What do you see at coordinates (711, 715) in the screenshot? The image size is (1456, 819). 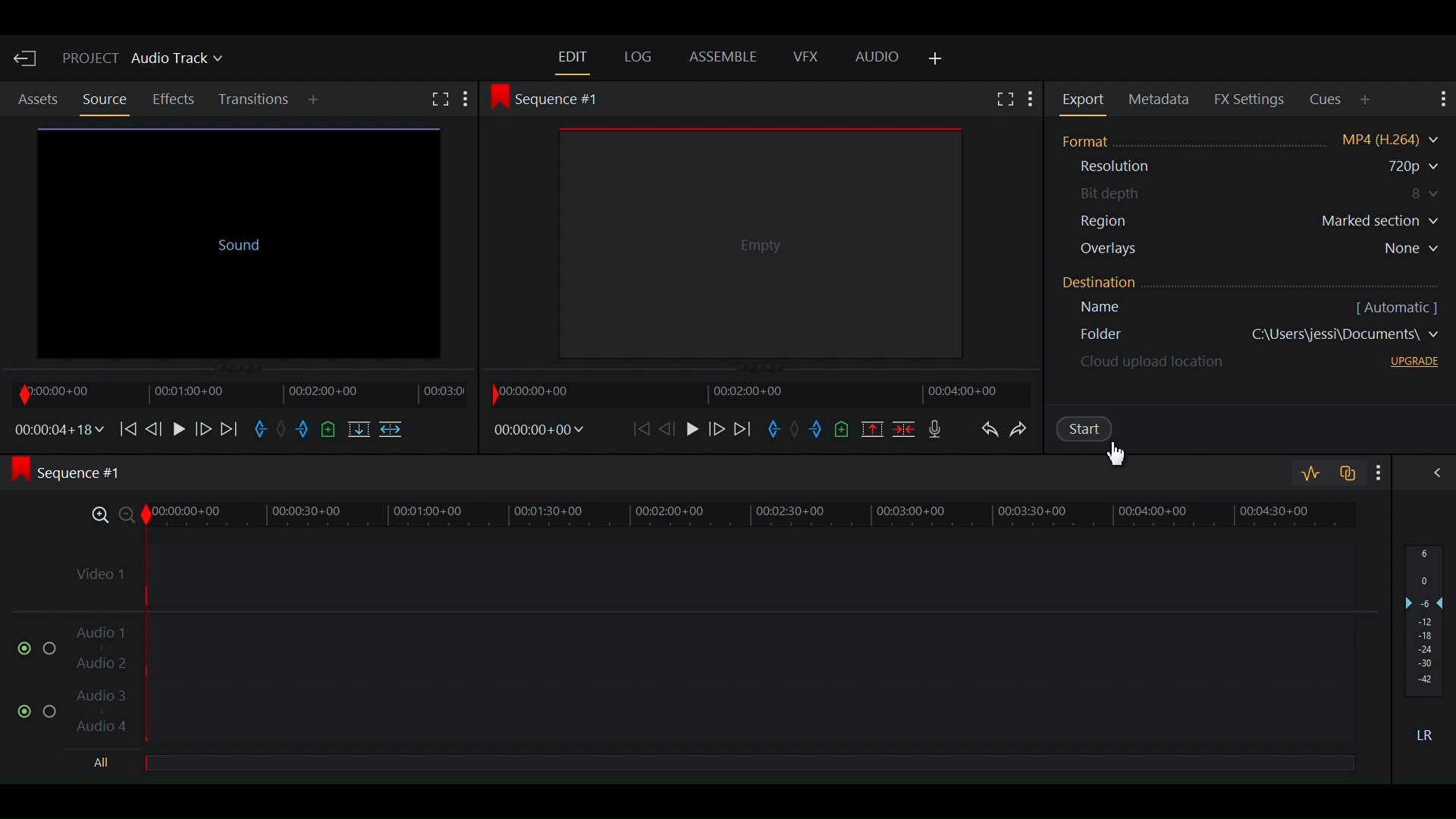 I see `Audio Track 3, Audio Track 4` at bounding box center [711, 715].